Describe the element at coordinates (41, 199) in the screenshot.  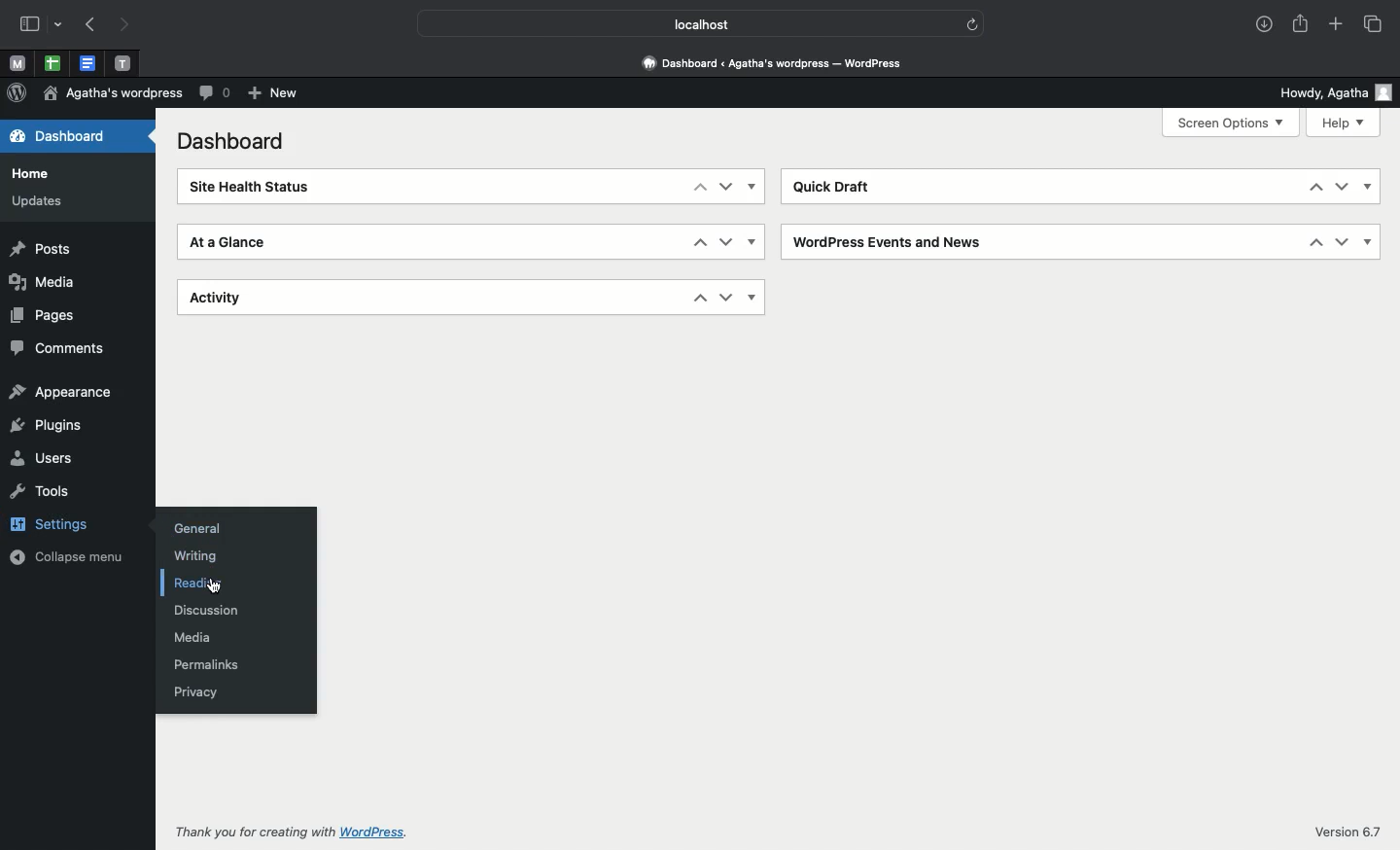
I see `Updates` at that location.